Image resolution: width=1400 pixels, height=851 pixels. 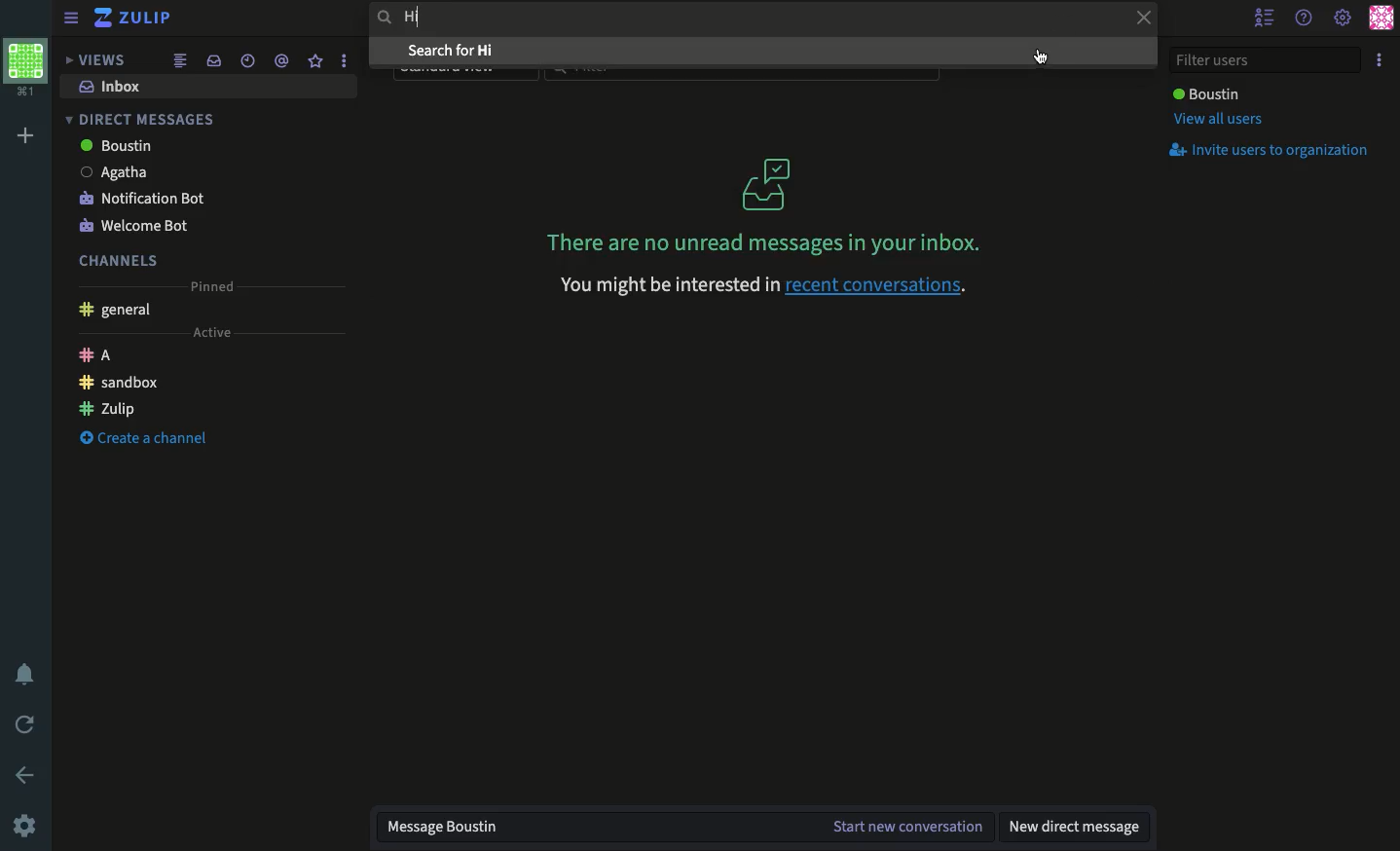 I want to click on Pinned, so click(x=212, y=286).